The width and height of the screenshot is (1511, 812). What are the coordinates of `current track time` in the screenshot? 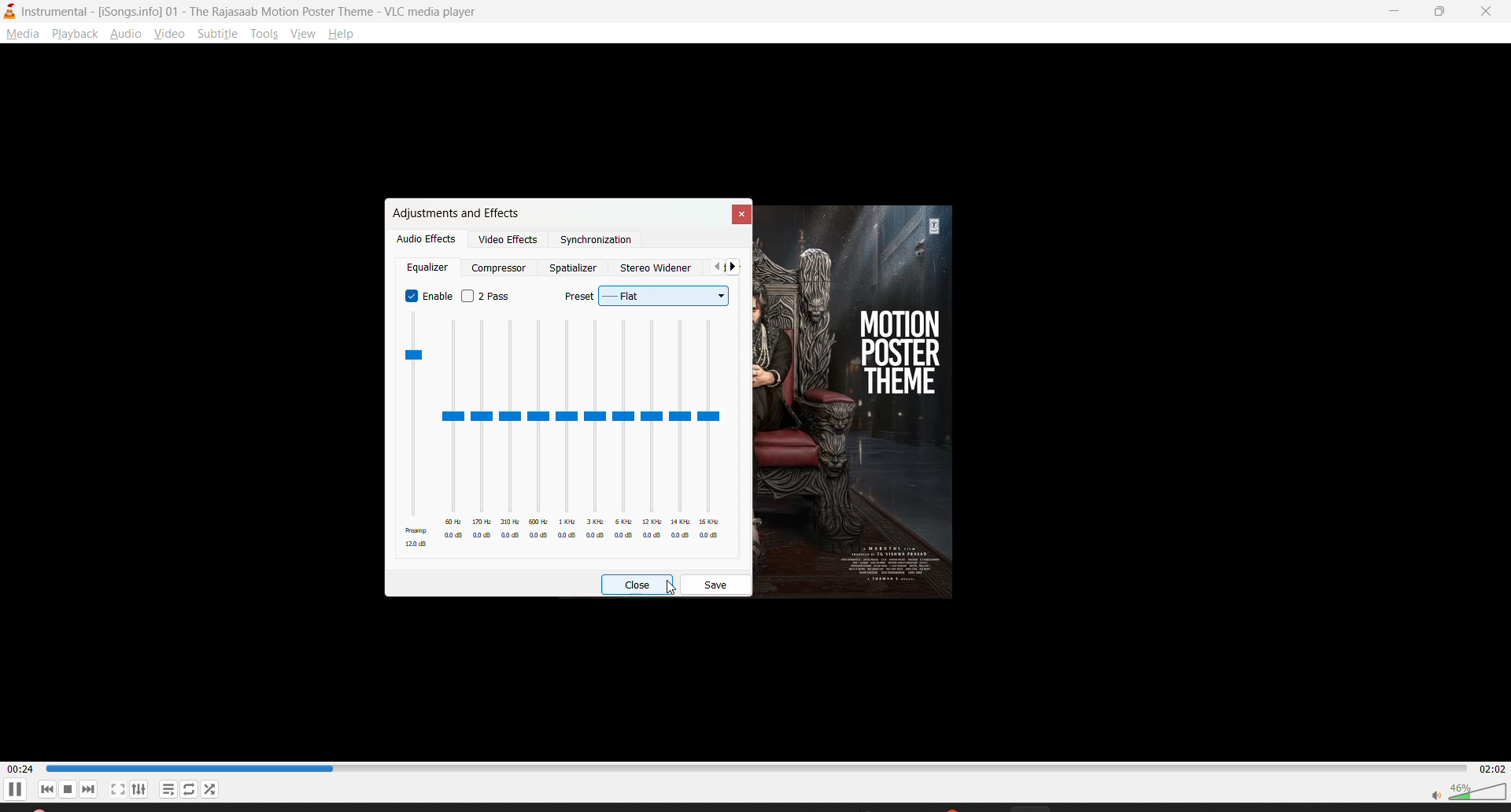 It's located at (20, 768).